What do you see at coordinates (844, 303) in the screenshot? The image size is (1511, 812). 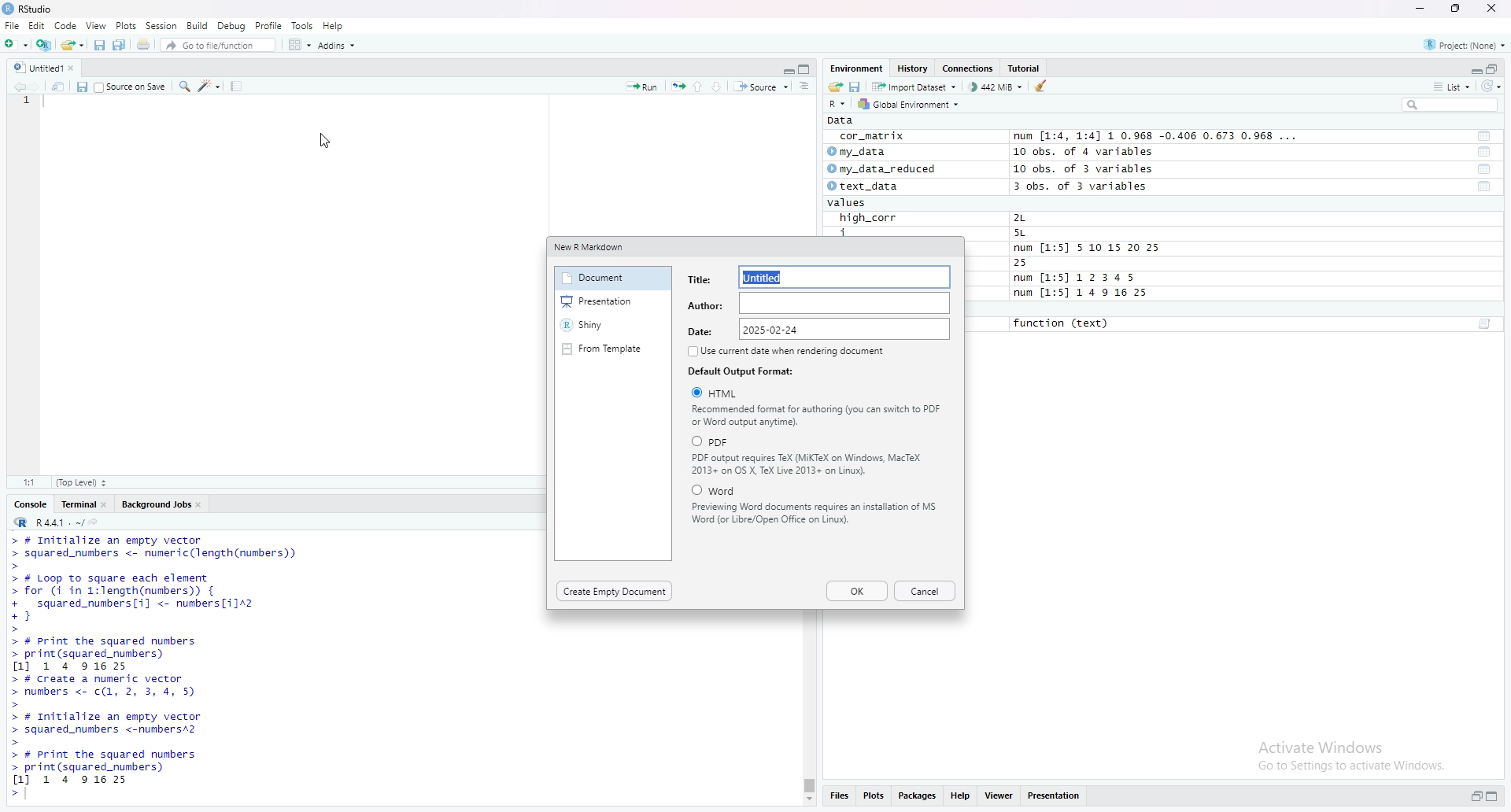 I see `input area` at bounding box center [844, 303].